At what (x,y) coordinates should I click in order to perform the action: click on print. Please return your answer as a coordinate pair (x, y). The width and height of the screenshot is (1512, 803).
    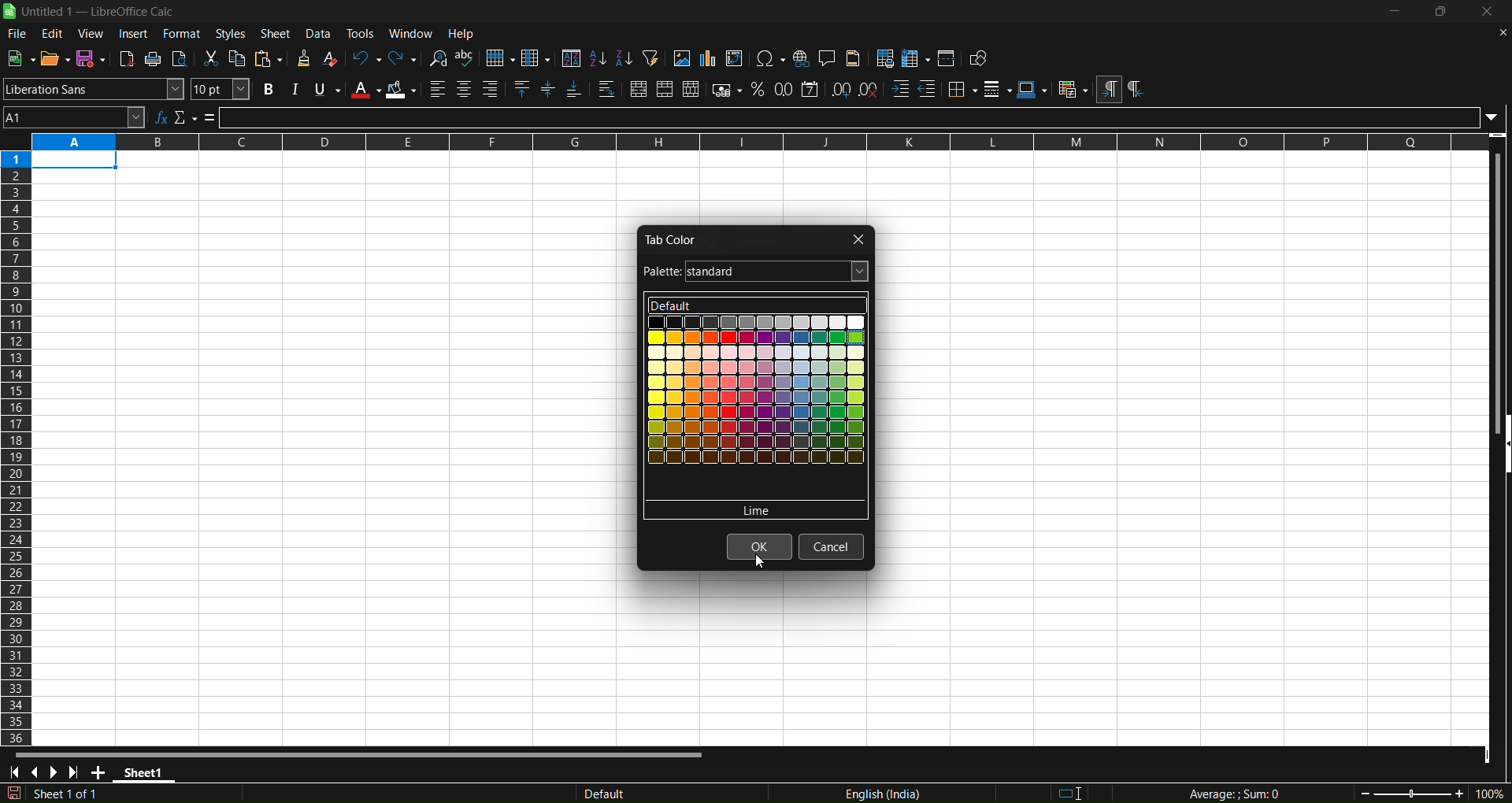
    Looking at the image, I should click on (154, 59).